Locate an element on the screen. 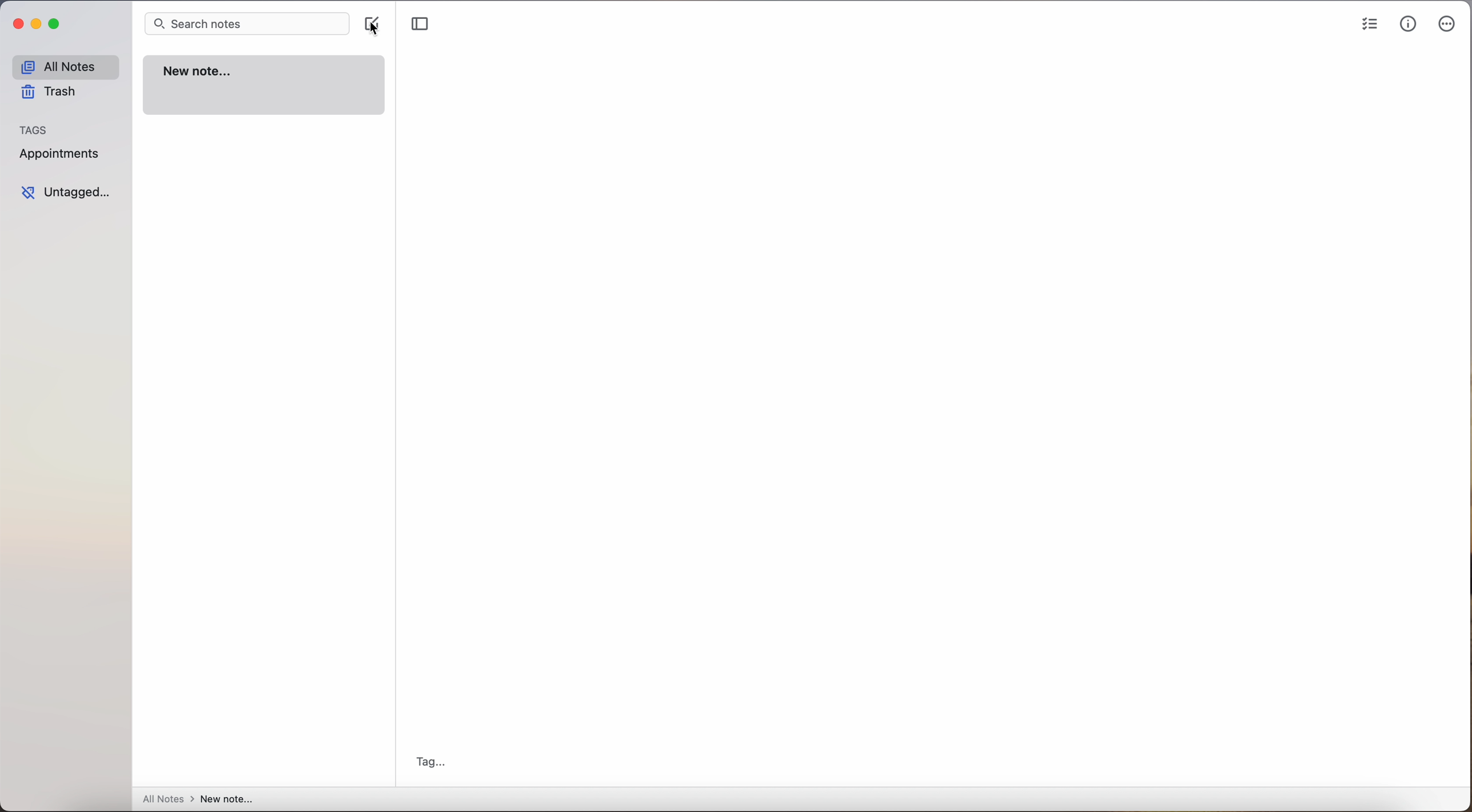  search bar is located at coordinates (246, 25).